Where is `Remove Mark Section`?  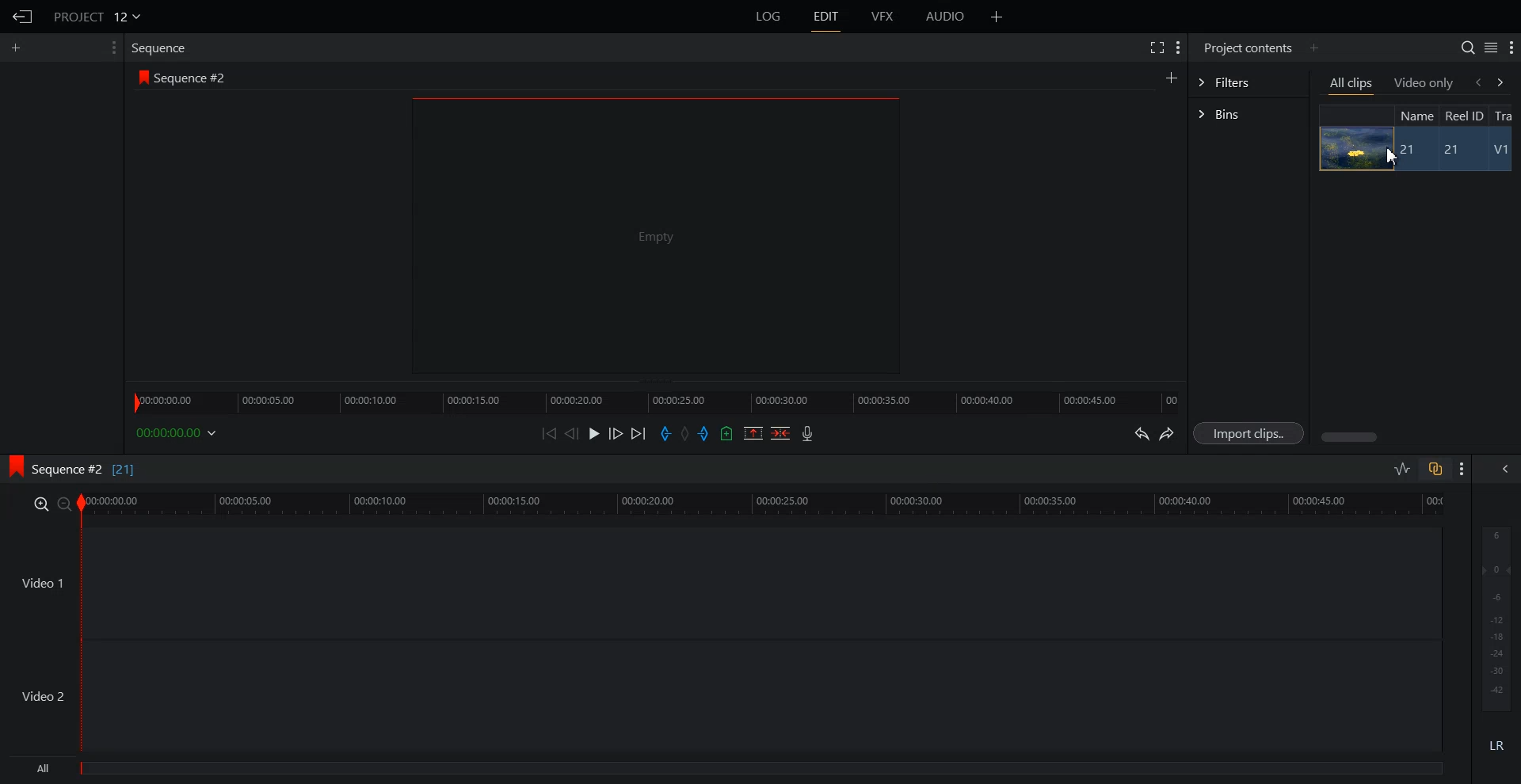 Remove Mark Section is located at coordinates (753, 433).